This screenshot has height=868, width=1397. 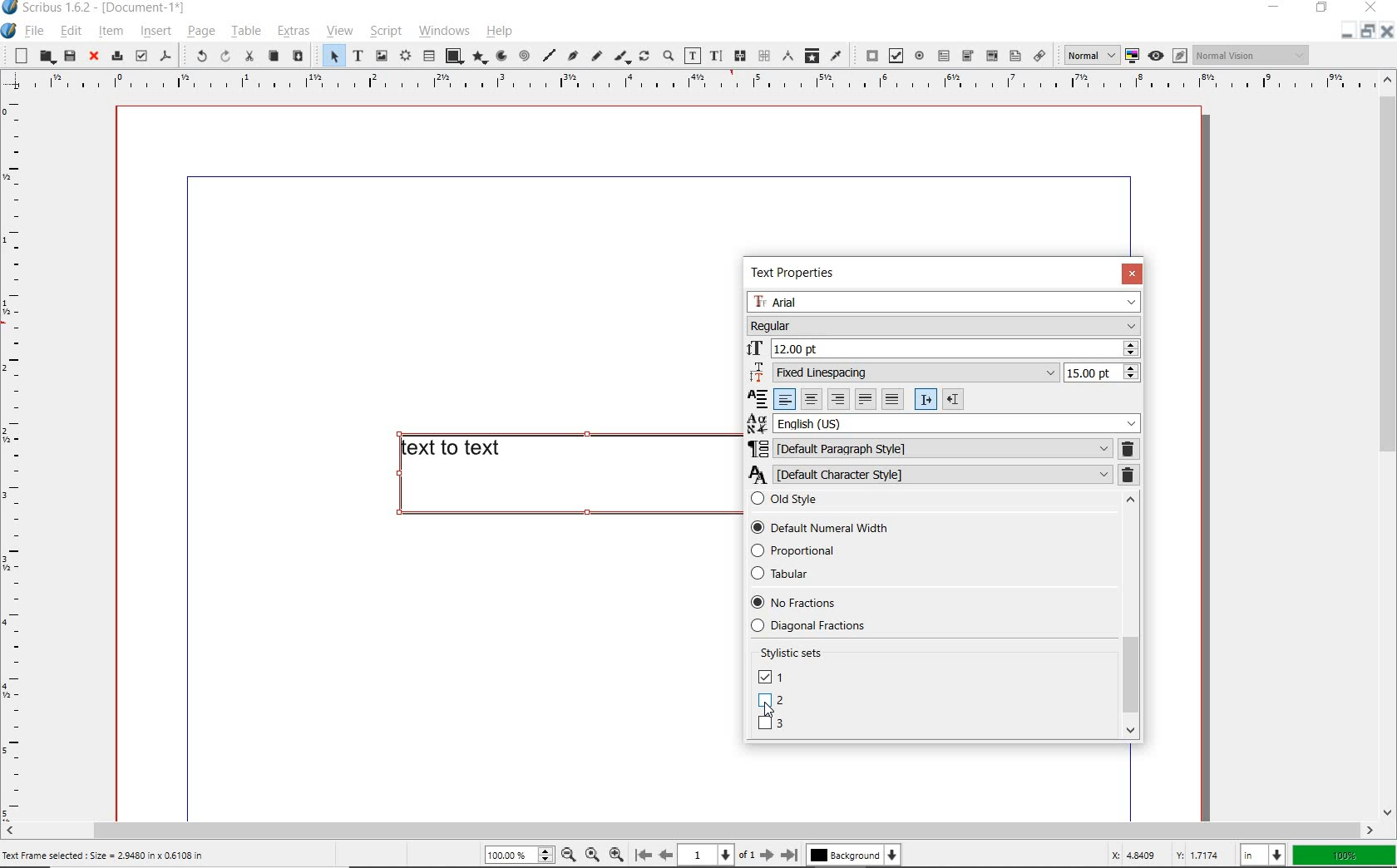 What do you see at coordinates (383, 32) in the screenshot?
I see `script` at bounding box center [383, 32].